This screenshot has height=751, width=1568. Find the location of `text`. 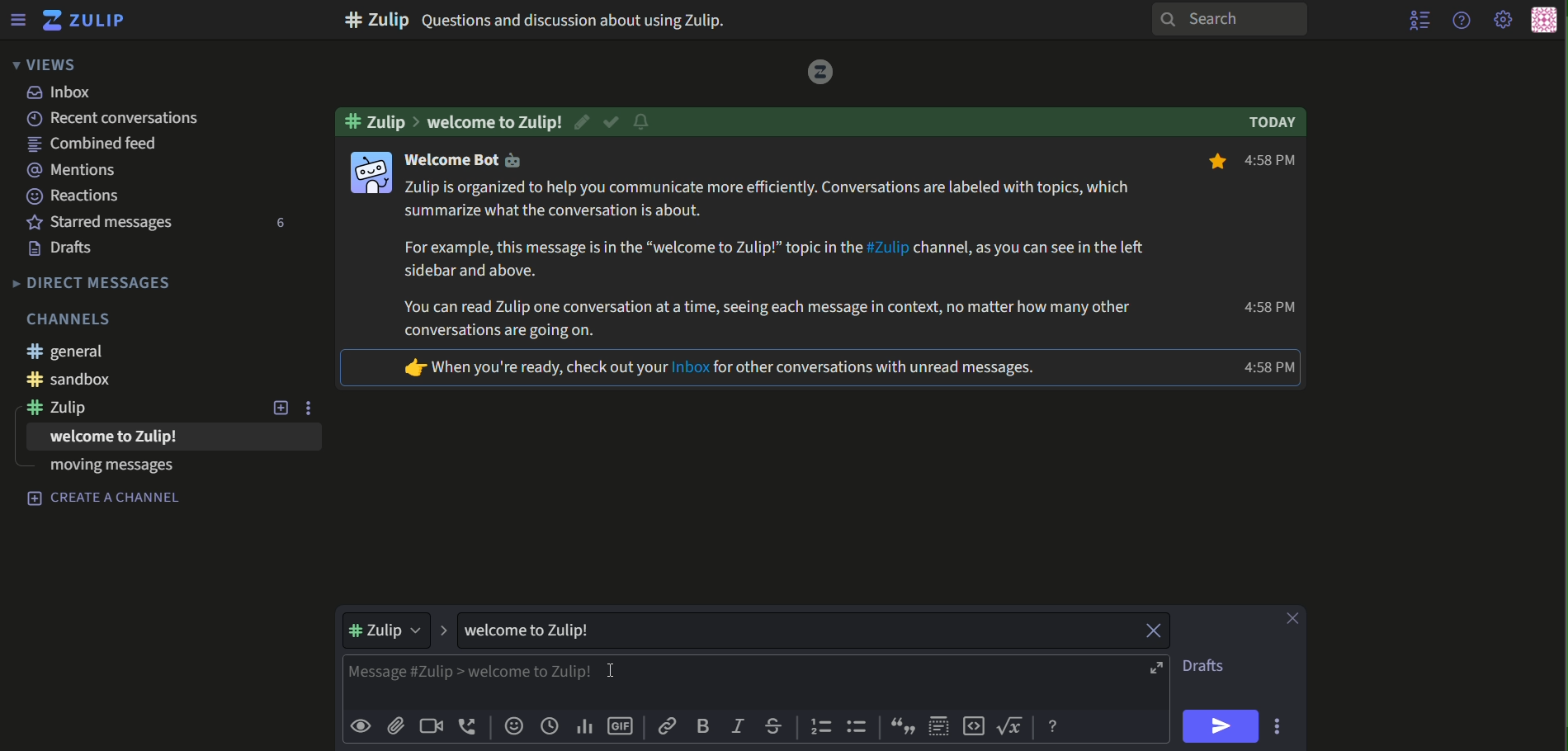

text is located at coordinates (1269, 309).